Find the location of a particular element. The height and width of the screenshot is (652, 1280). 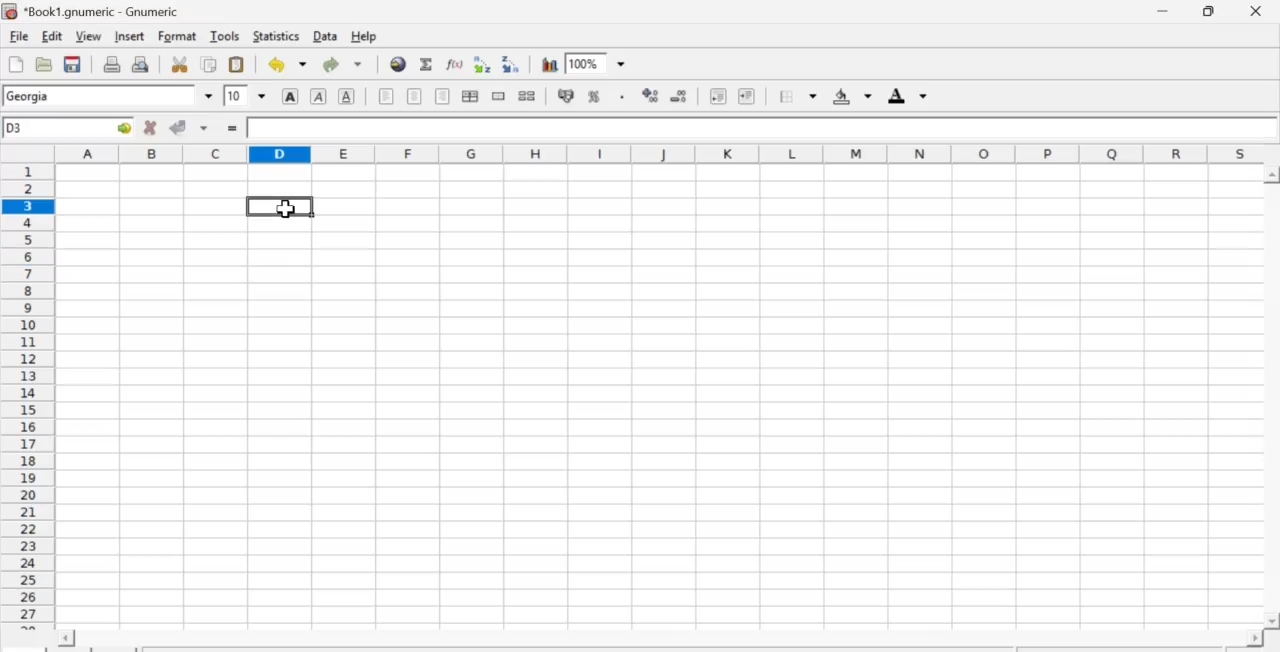

Sum is located at coordinates (428, 65).